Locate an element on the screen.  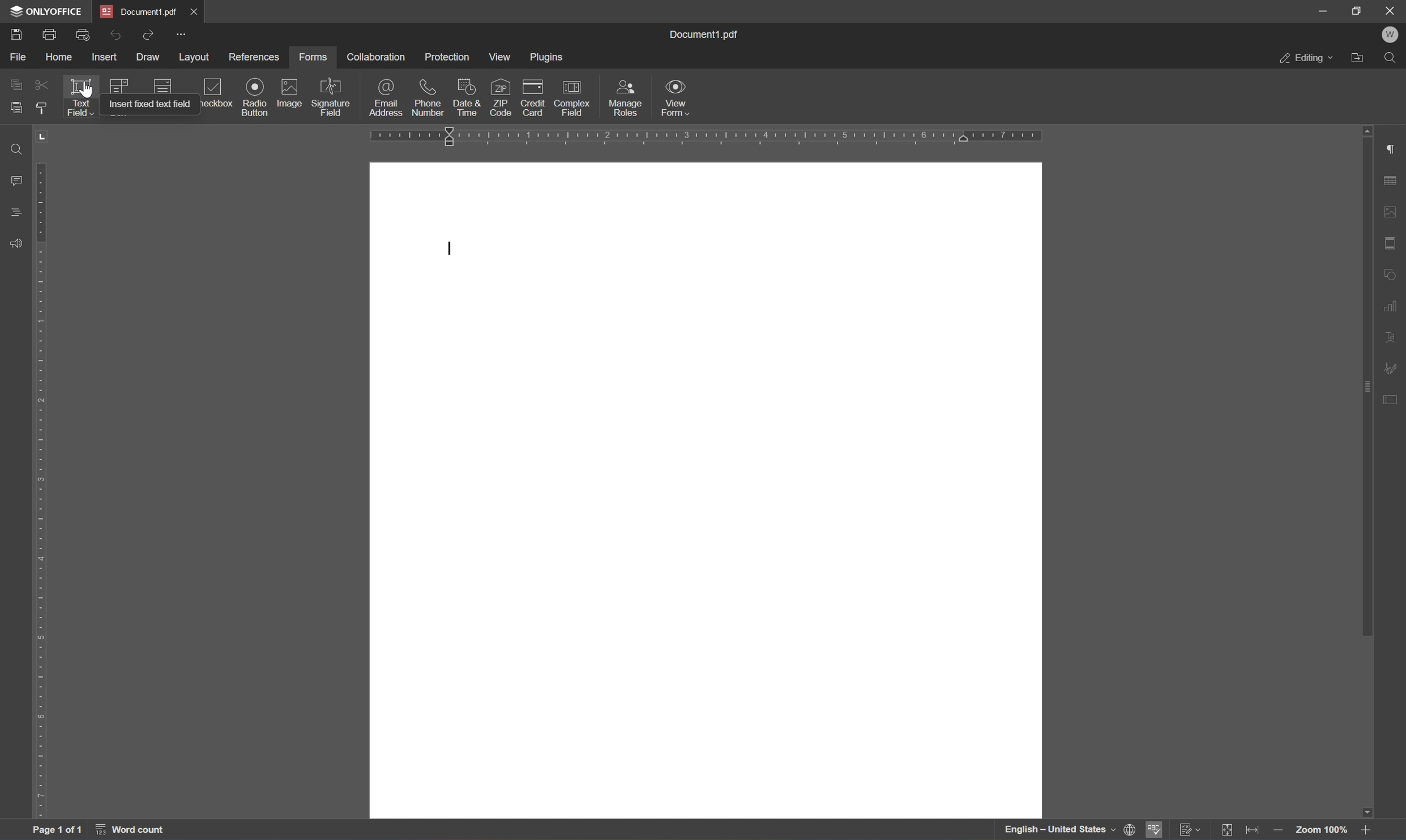
credit card is located at coordinates (531, 101).